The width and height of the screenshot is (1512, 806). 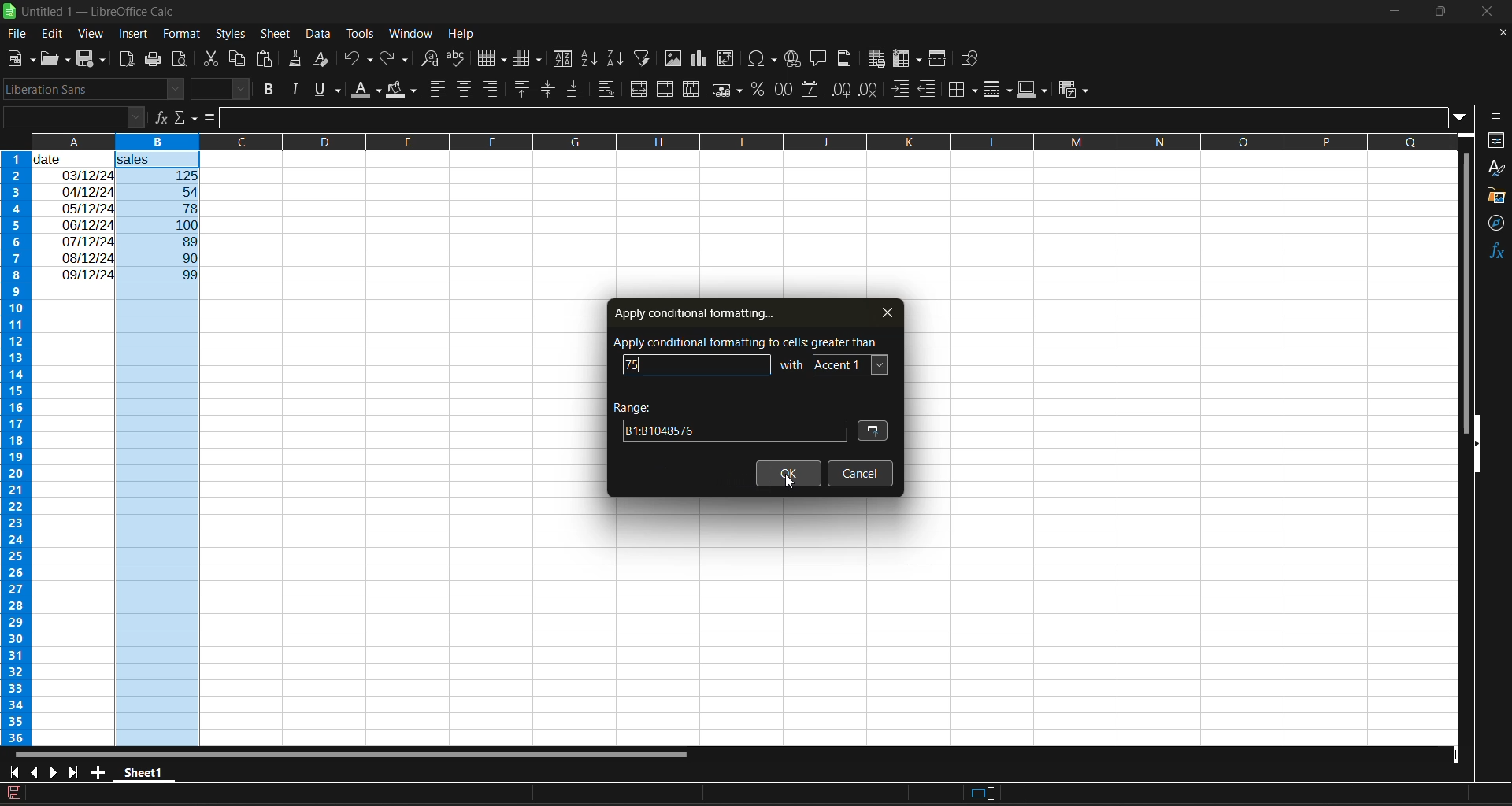 I want to click on insert or edit pivot table, so click(x=726, y=58).